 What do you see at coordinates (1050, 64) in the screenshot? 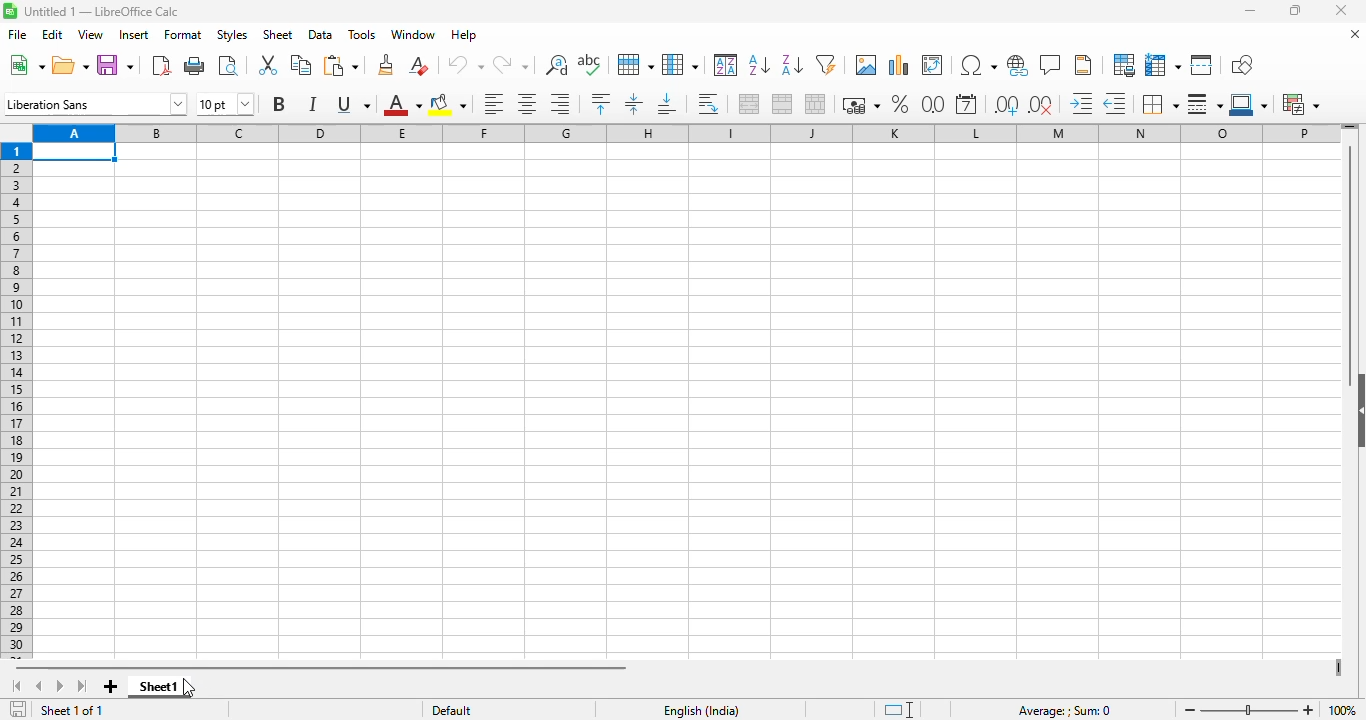
I see `insert comment` at bounding box center [1050, 64].